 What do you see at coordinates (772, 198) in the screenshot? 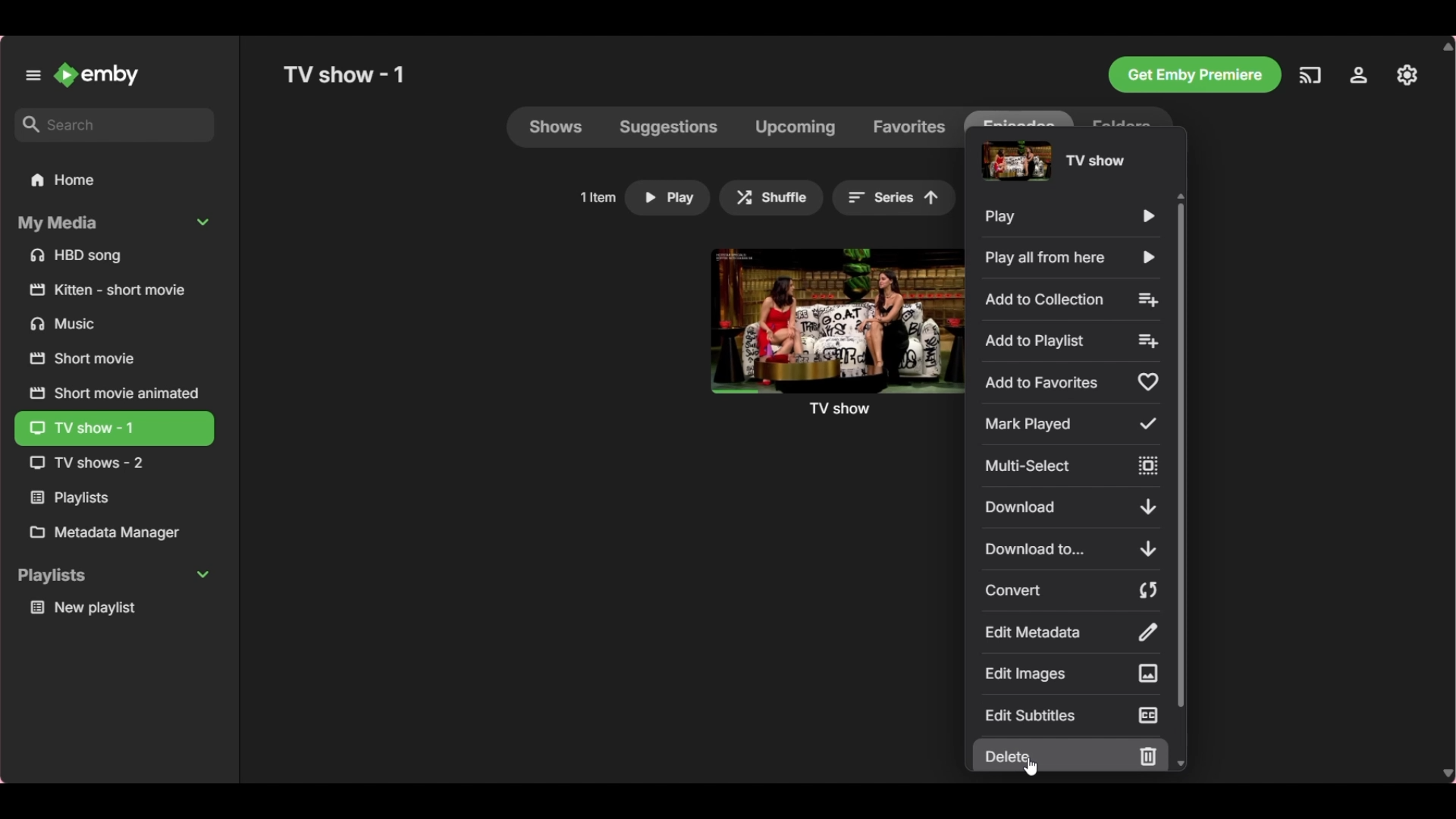
I see `Shuffle episodes` at bounding box center [772, 198].